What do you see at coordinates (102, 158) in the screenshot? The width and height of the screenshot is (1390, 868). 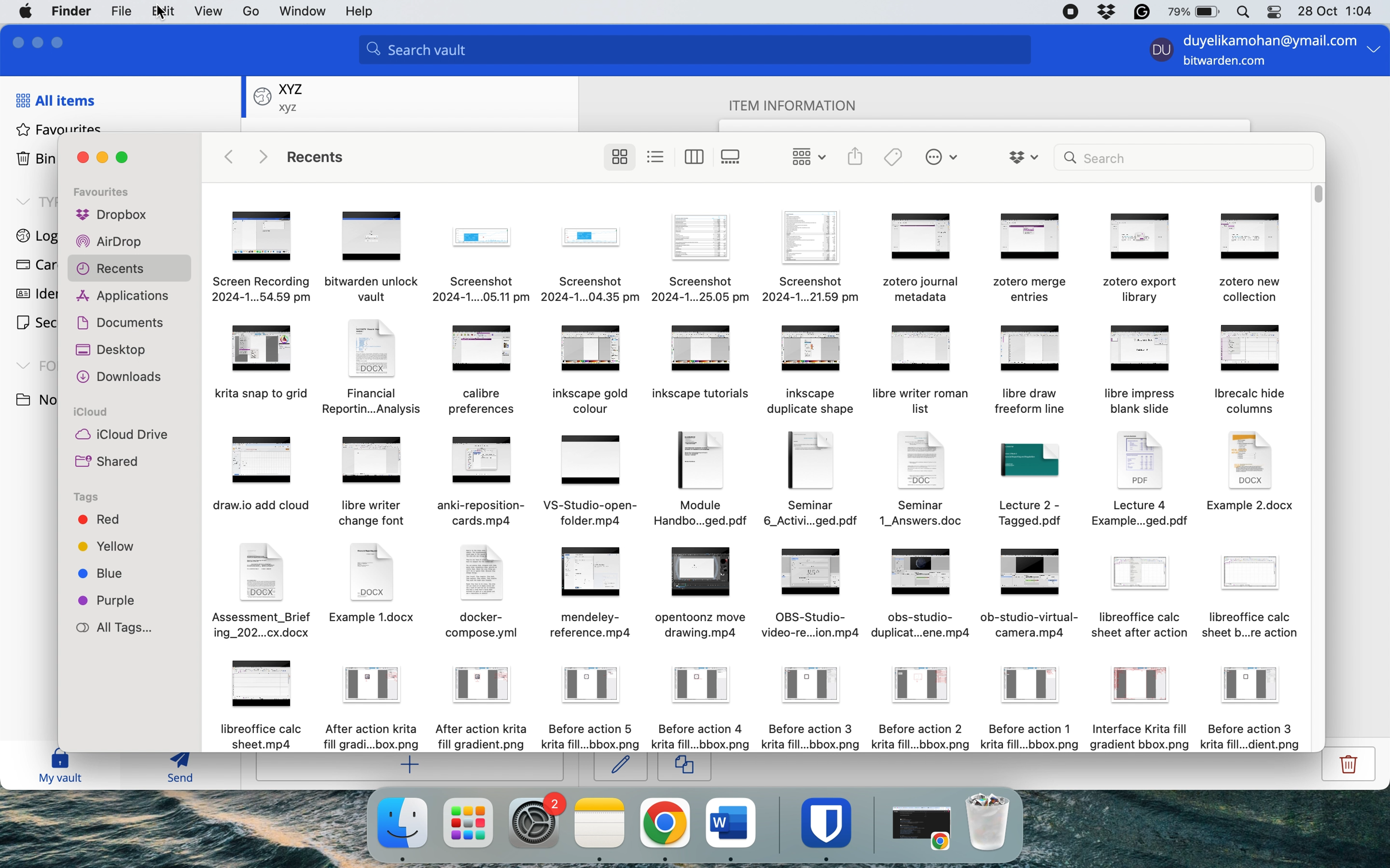 I see `minimise` at bounding box center [102, 158].